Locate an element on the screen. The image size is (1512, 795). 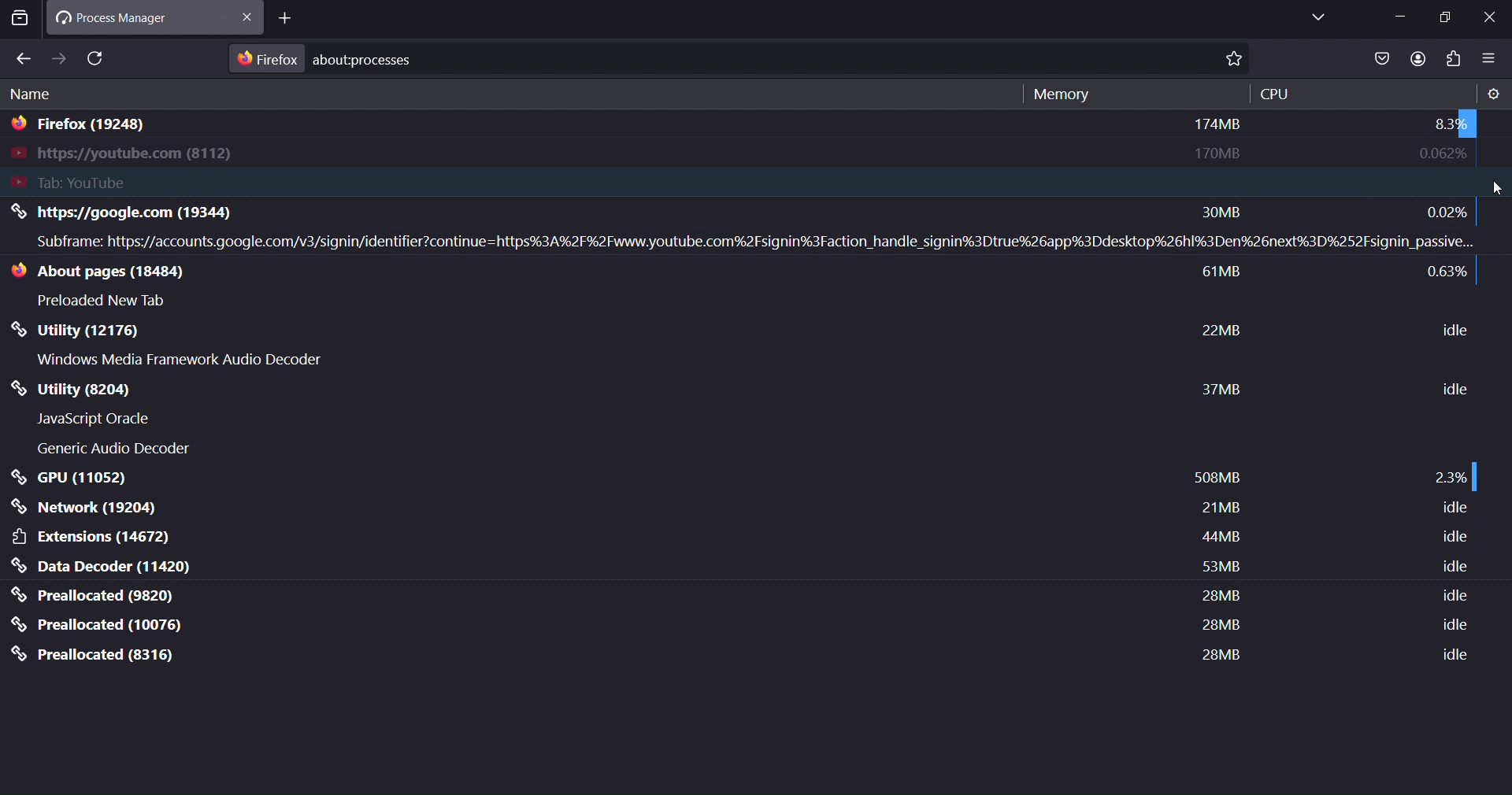
44mb is located at coordinates (1220, 540).